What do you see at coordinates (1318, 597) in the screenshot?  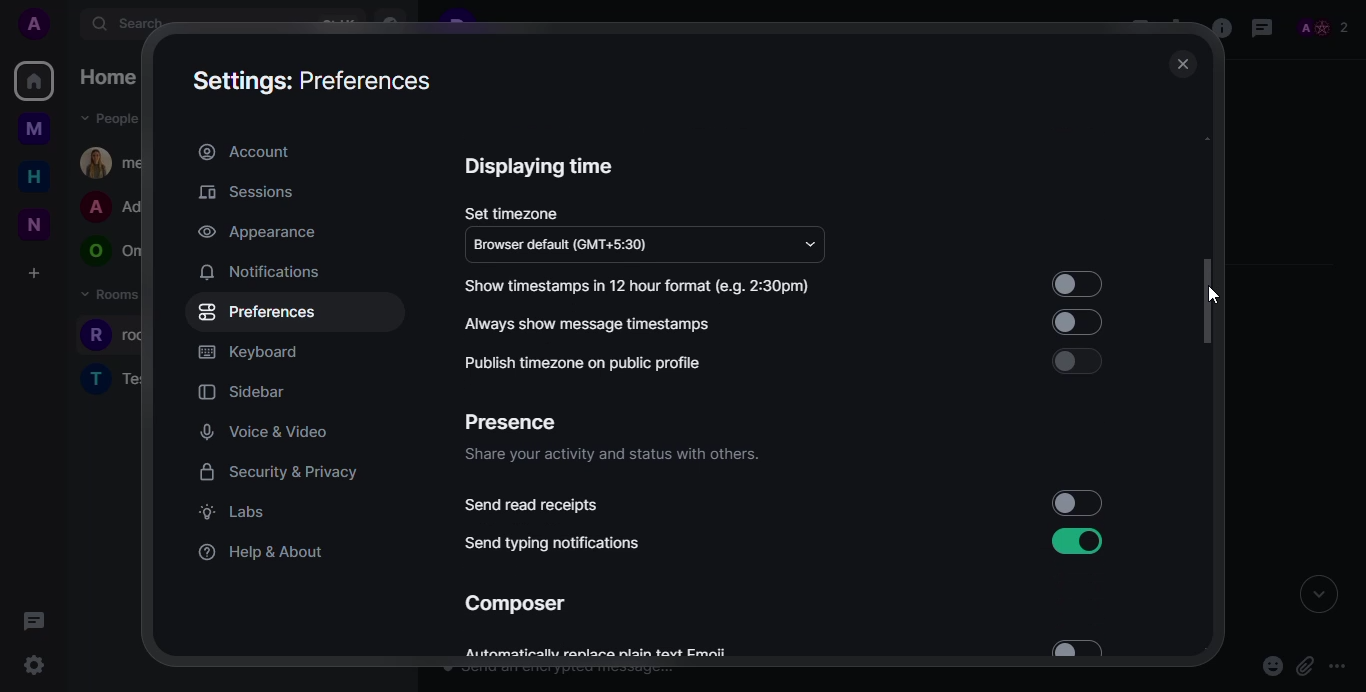 I see `expand` at bounding box center [1318, 597].